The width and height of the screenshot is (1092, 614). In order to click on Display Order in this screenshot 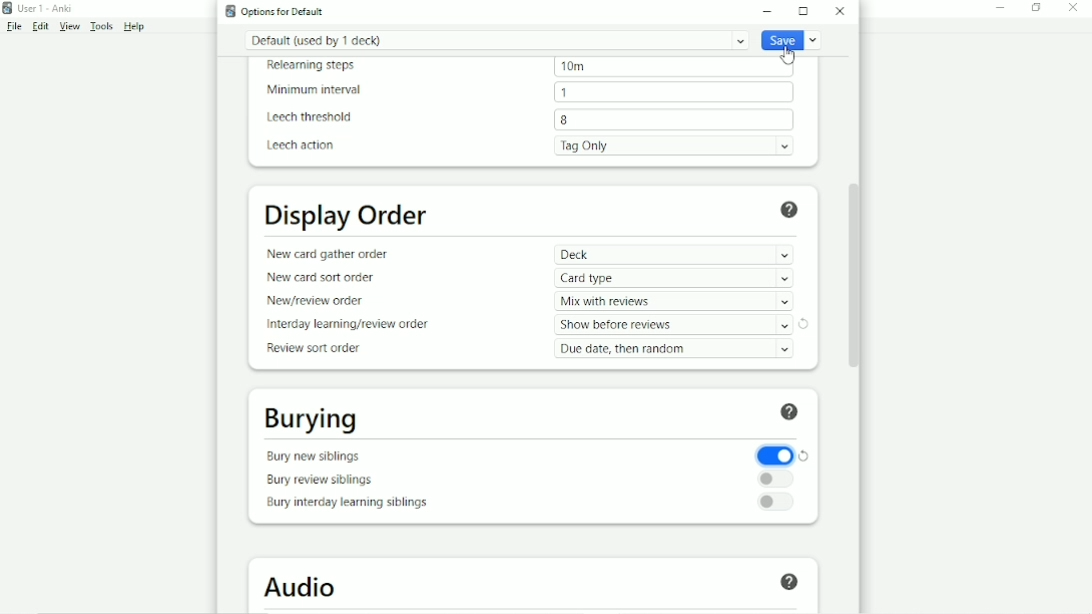, I will do `click(348, 217)`.